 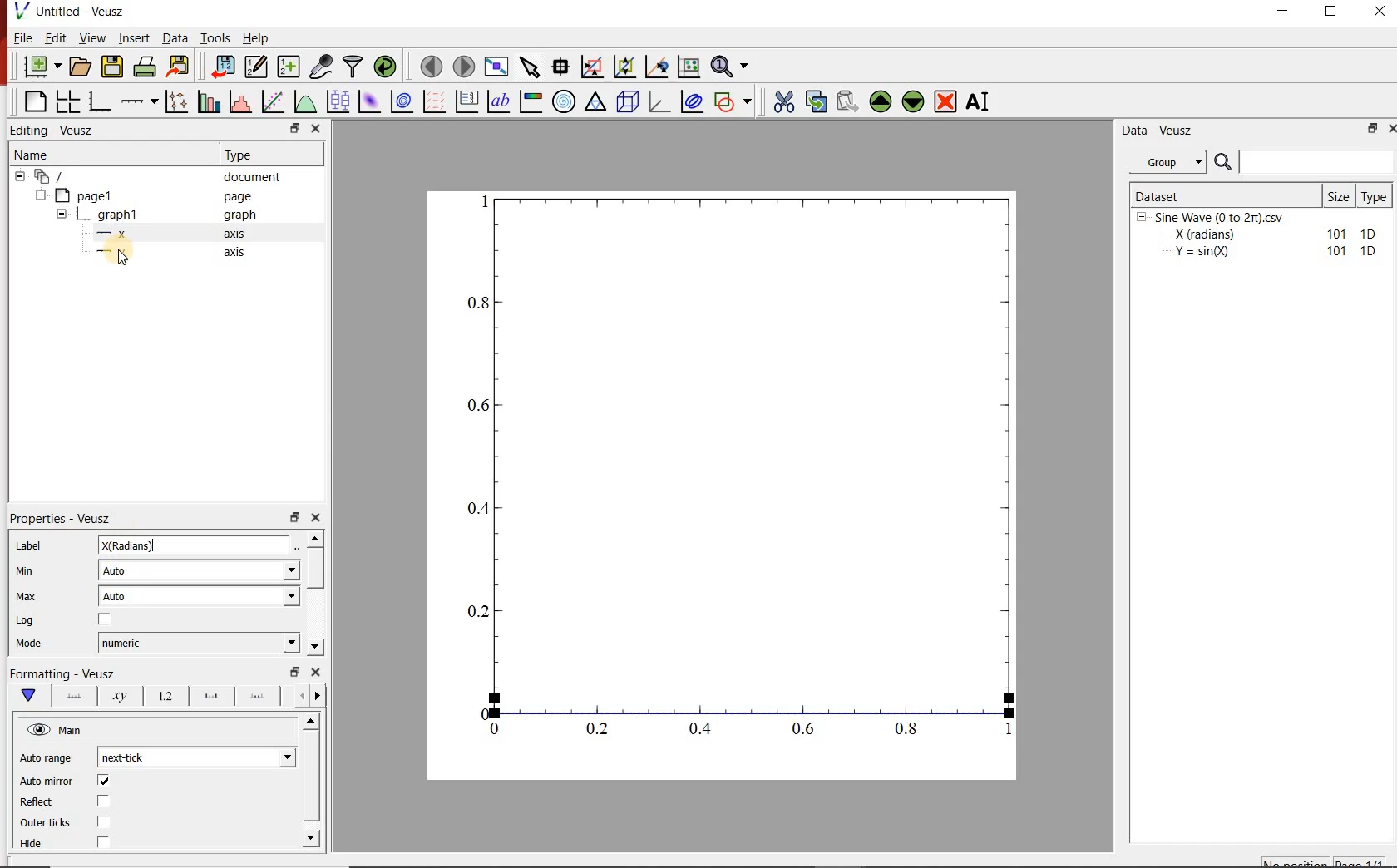 I want to click on Cursor, so click(x=118, y=258).